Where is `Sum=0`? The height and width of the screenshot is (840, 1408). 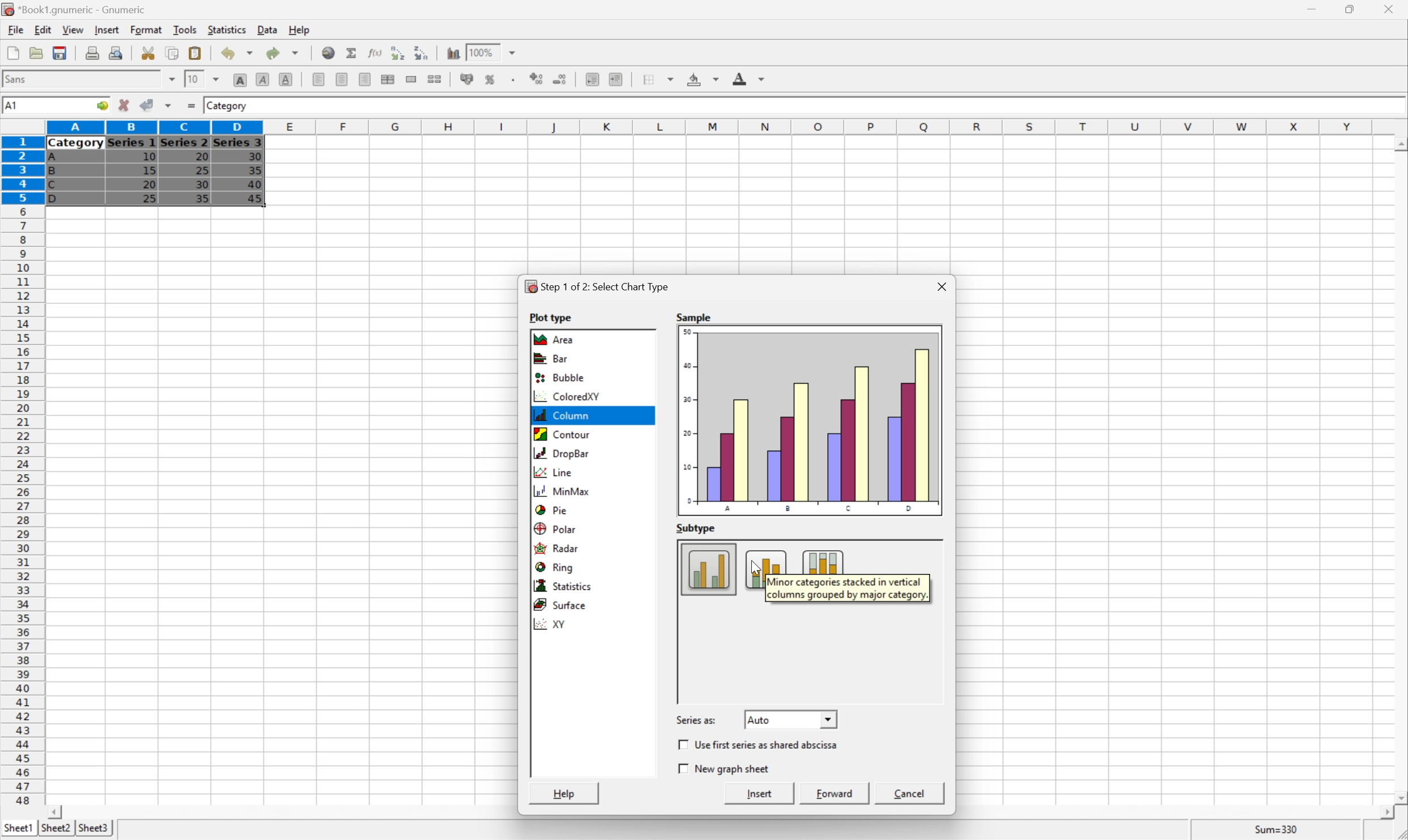 Sum=0 is located at coordinates (1279, 832).